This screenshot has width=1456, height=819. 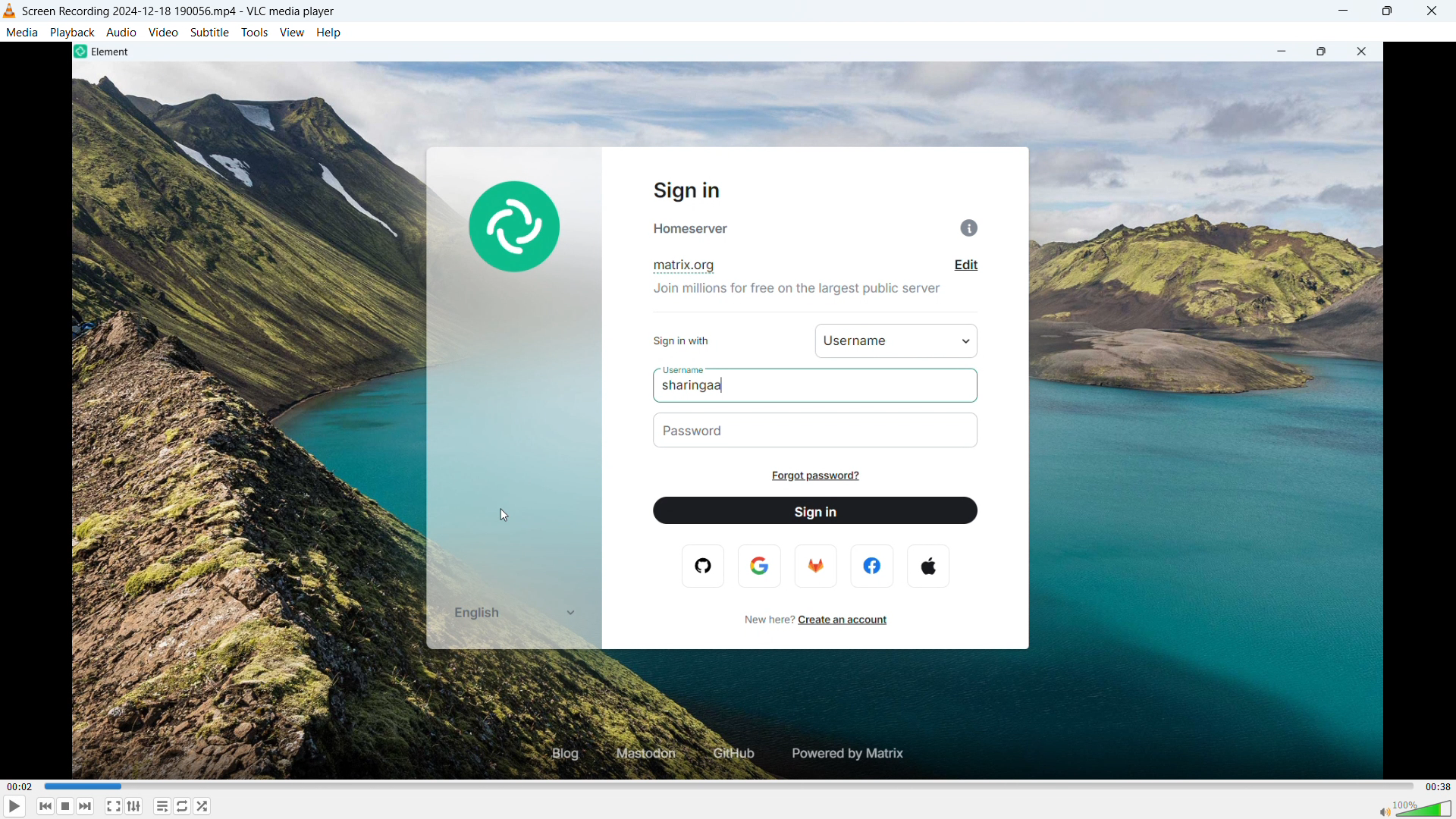 What do you see at coordinates (134, 806) in the screenshot?
I see `toggle playlist` at bounding box center [134, 806].